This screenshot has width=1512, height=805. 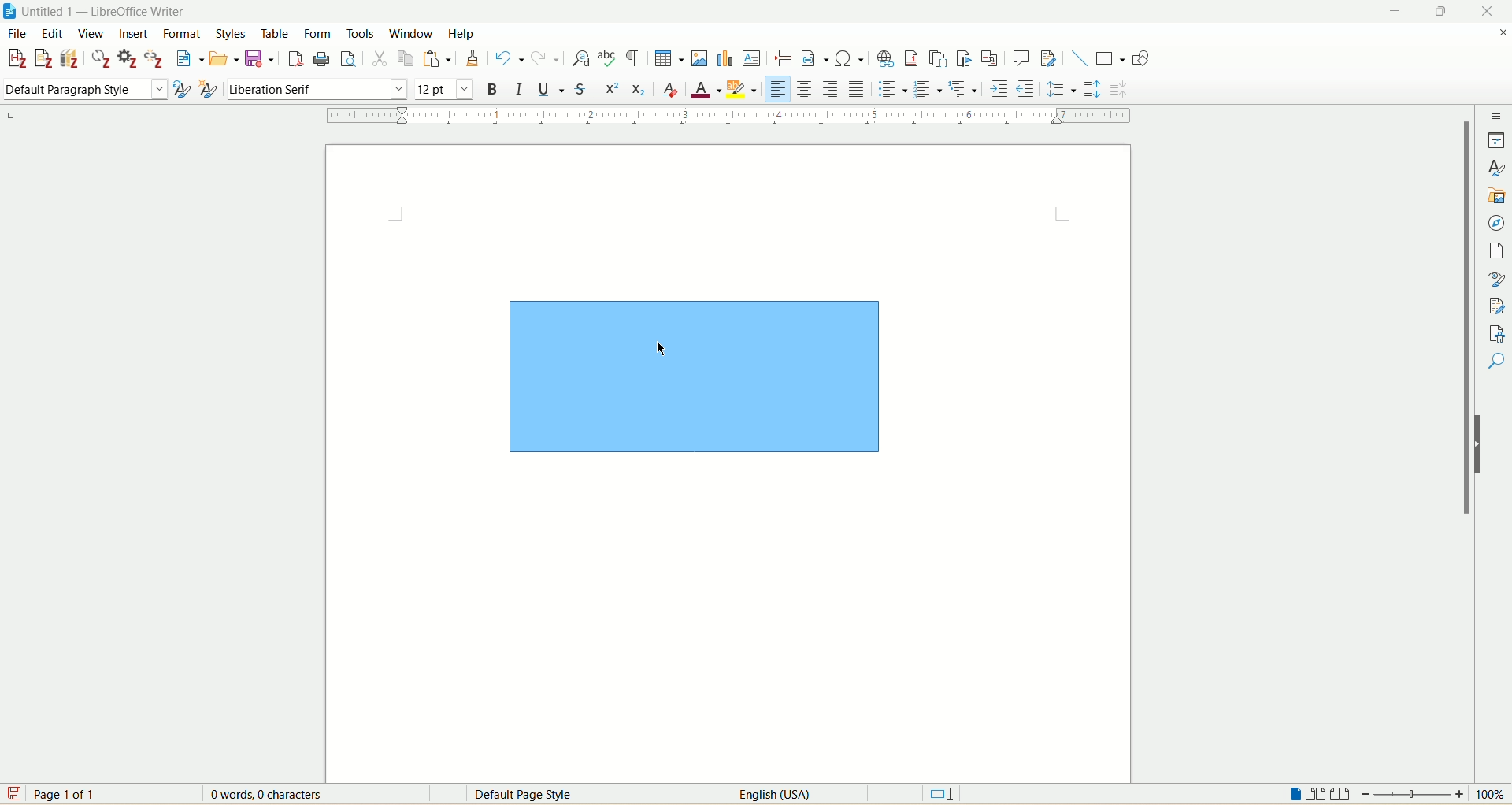 I want to click on view, so click(x=91, y=33).